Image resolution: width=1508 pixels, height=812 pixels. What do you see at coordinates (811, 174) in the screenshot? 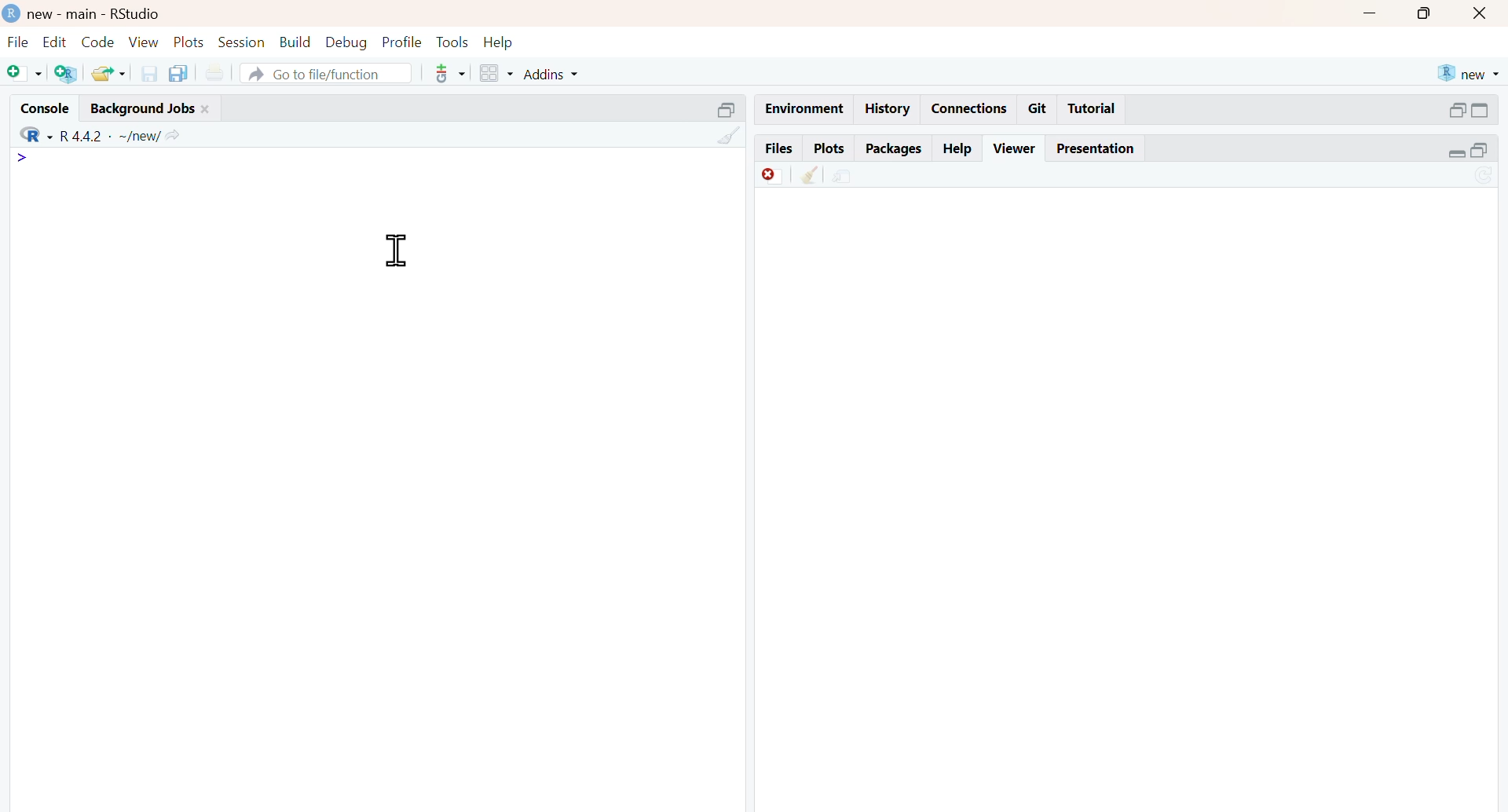
I see `clean` at bounding box center [811, 174].